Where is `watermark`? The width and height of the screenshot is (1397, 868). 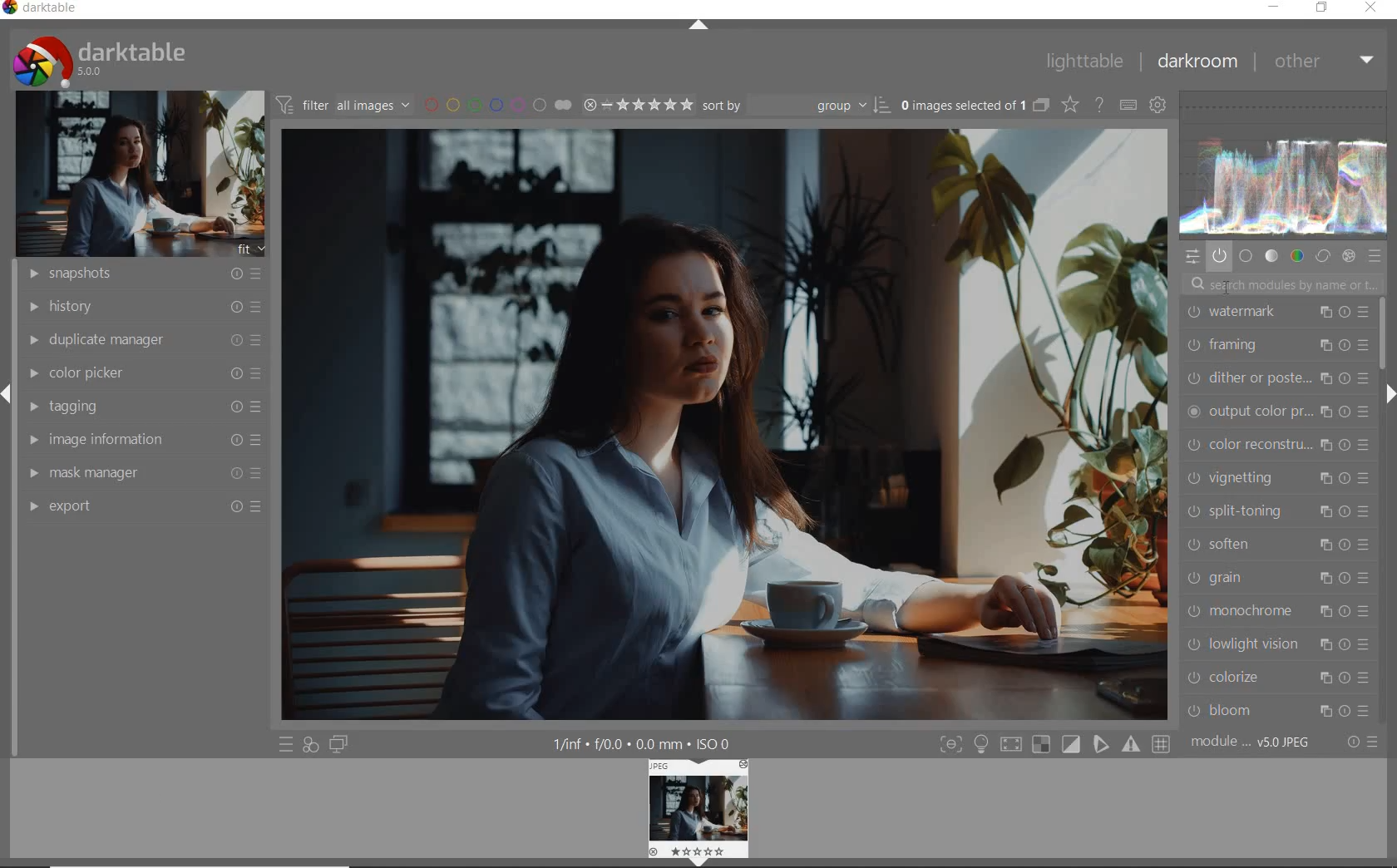 watermark is located at coordinates (1276, 313).